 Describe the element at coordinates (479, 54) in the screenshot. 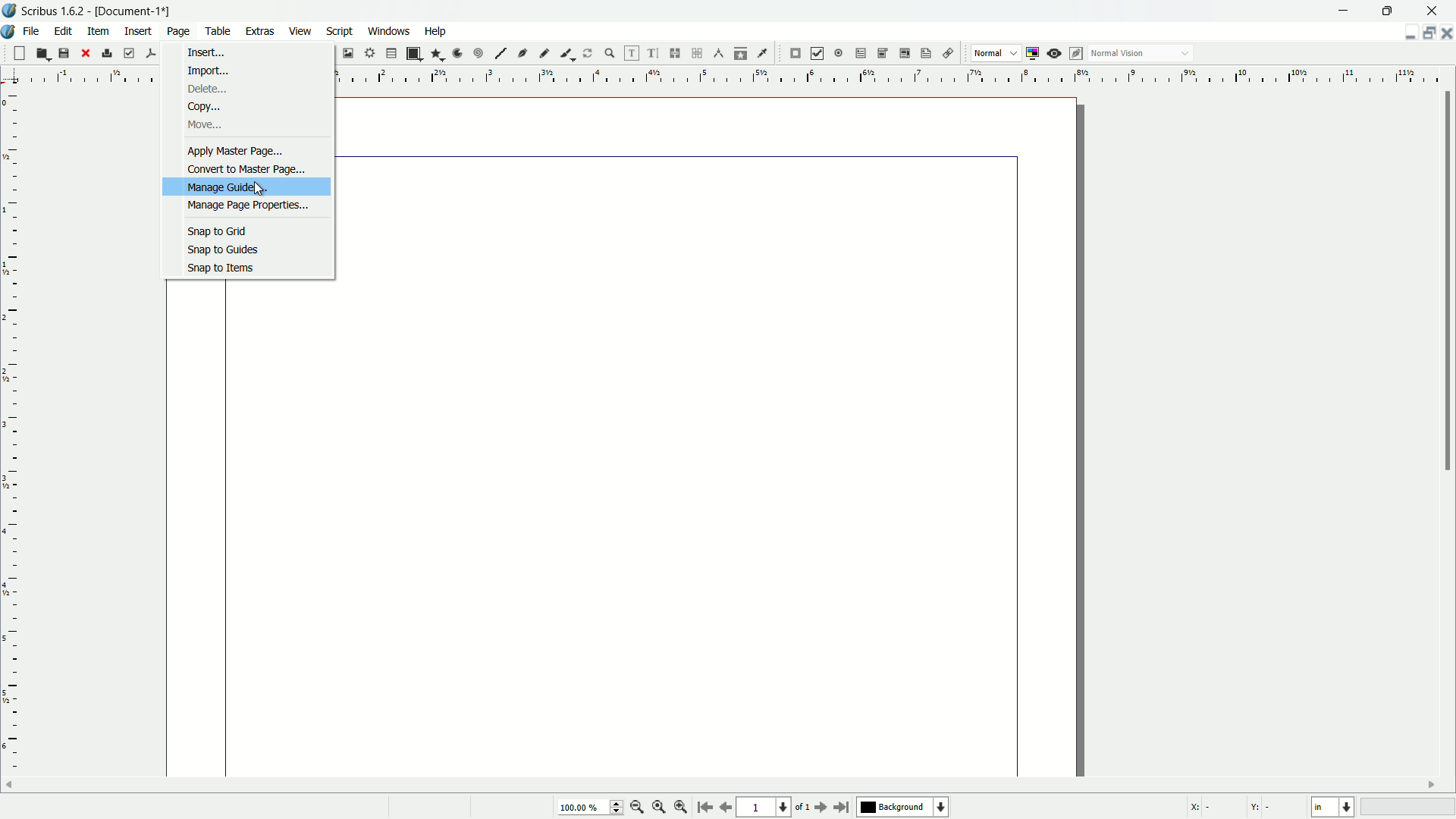

I see `spiral` at that location.